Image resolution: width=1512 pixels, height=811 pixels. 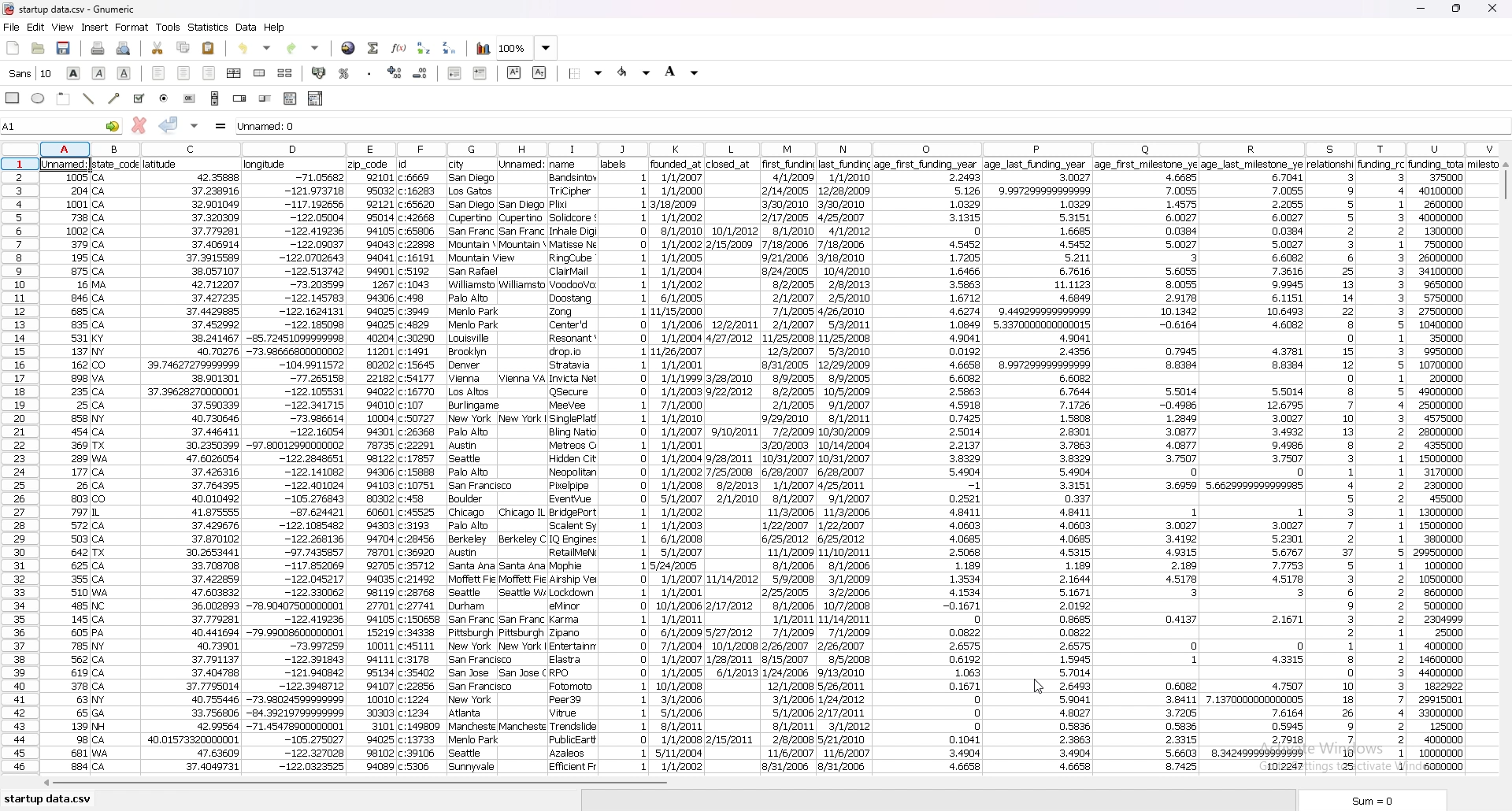 I want to click on subscript, so click(x=539, y=72).